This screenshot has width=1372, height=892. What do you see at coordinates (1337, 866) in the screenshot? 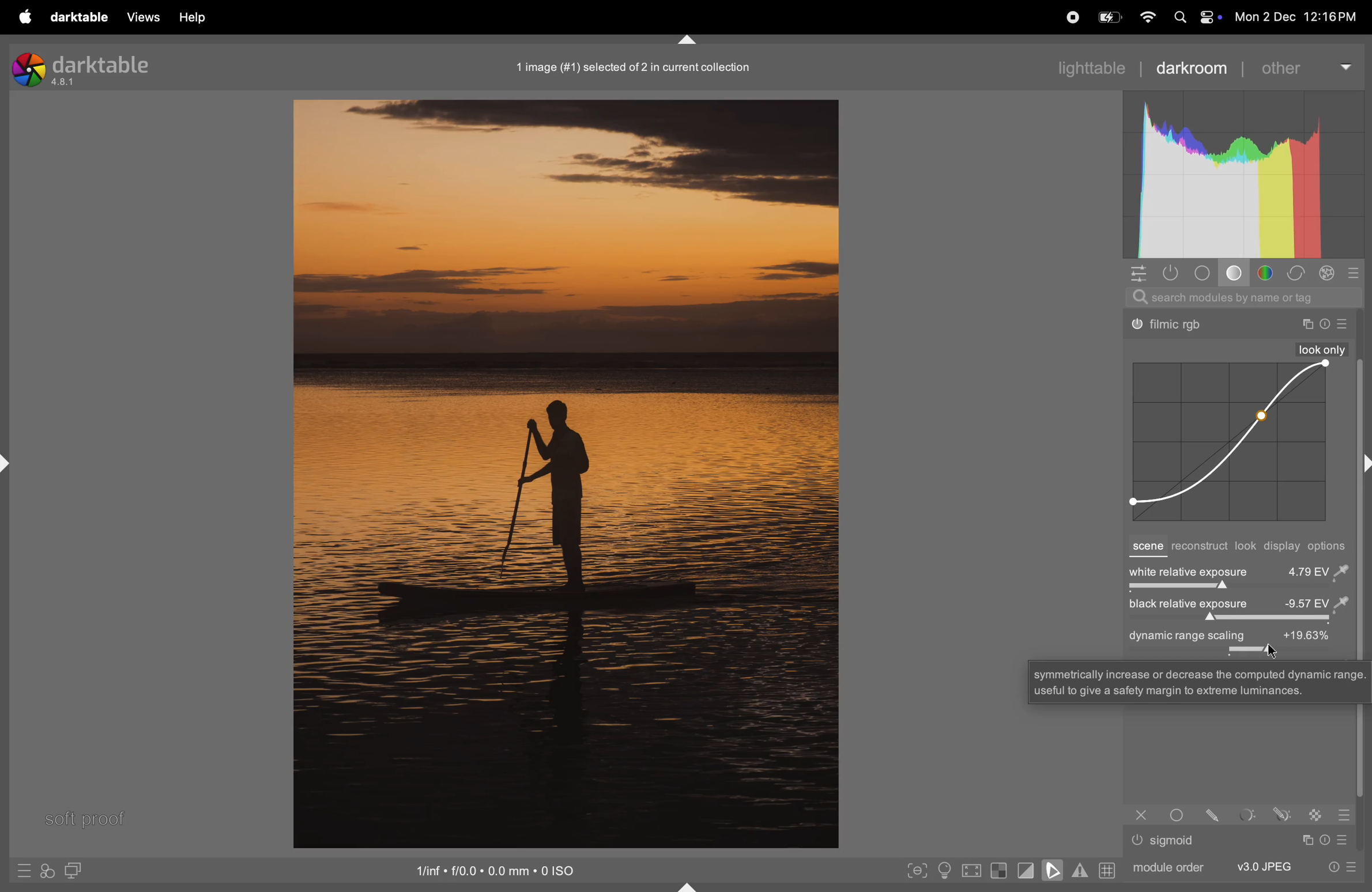
I see `quick acess to presets` at bounding box center [1337, 866].